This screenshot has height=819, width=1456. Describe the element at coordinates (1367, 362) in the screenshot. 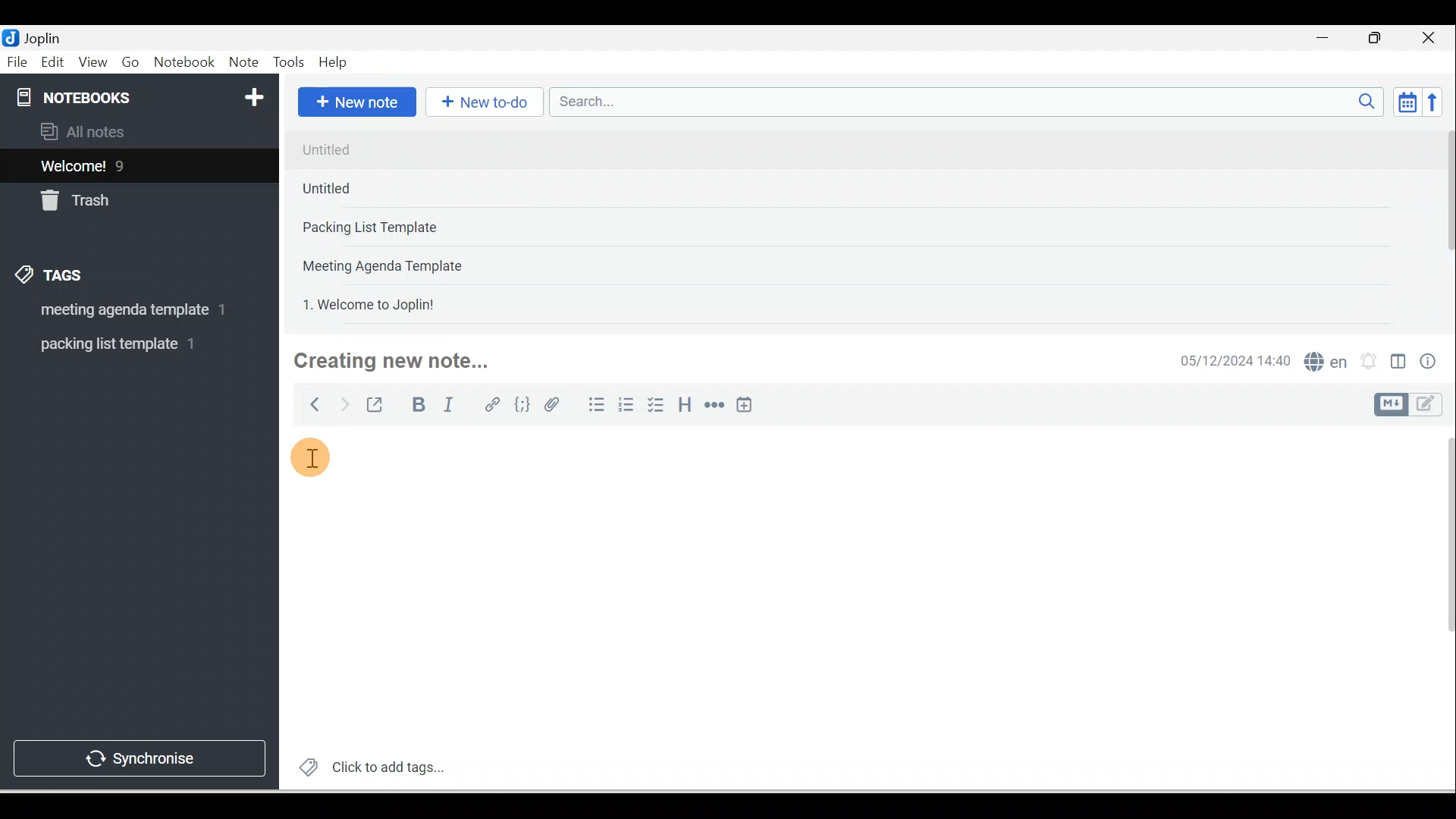

I see `Set alarm` at that location.